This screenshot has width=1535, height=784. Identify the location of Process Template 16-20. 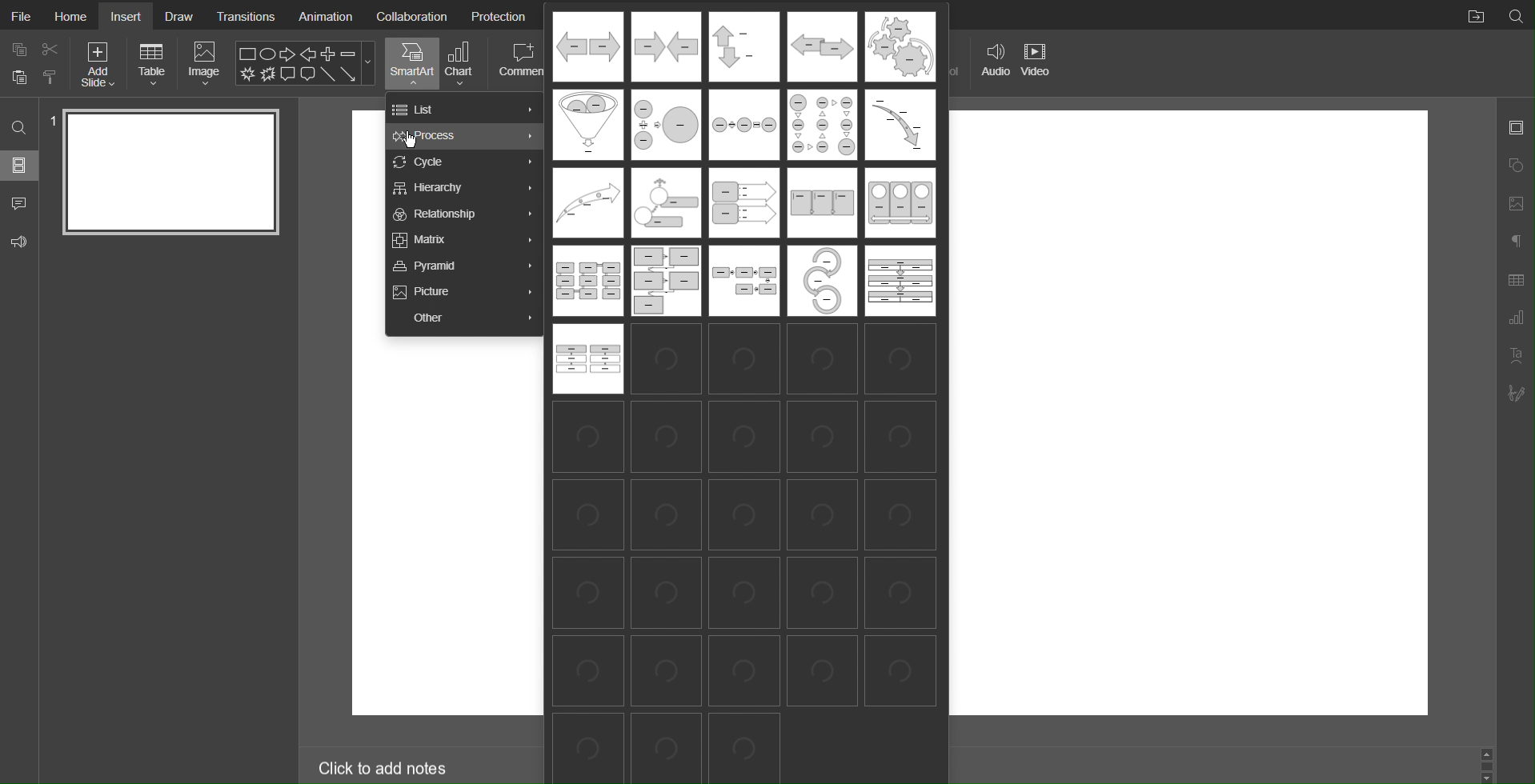
(743, 279).